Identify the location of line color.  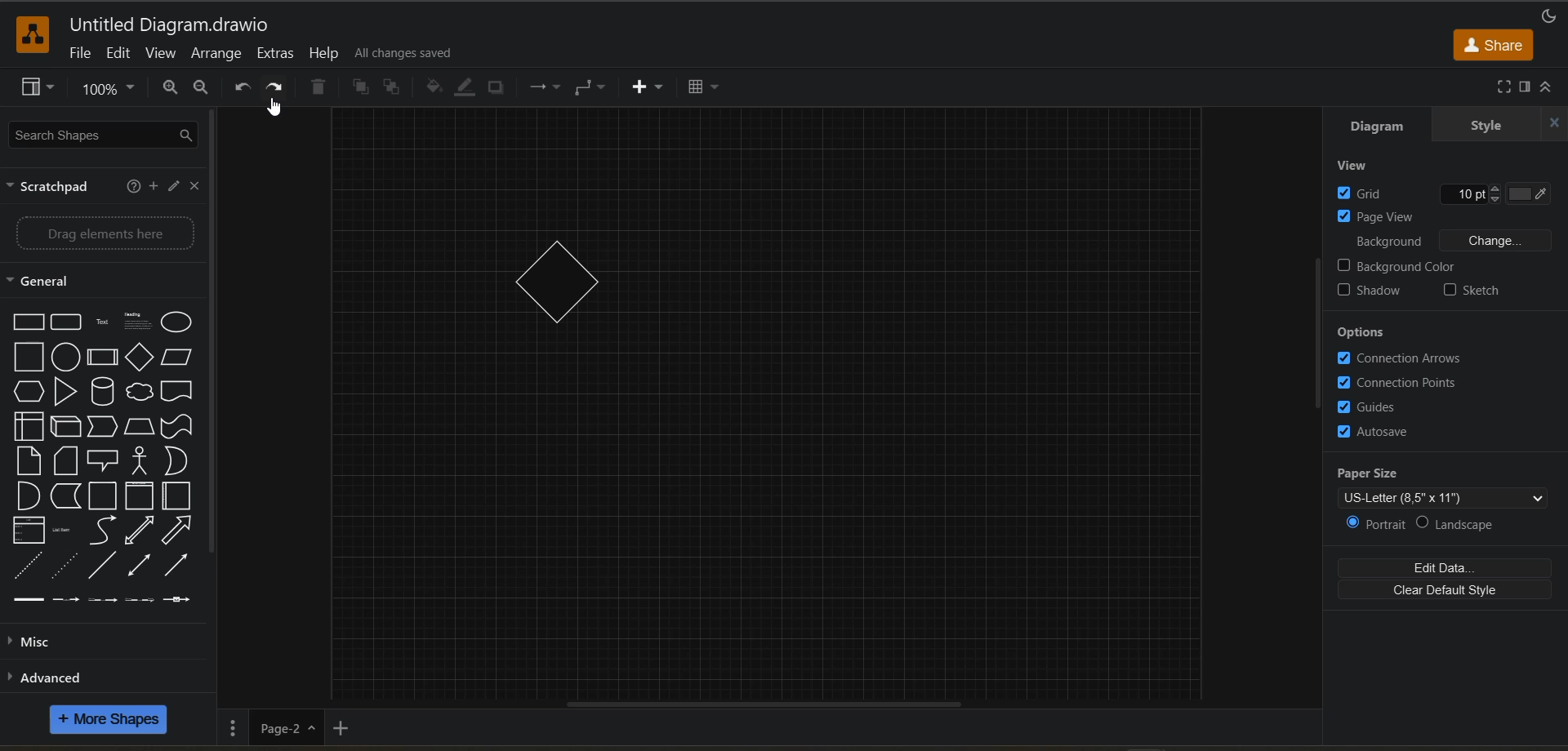
(461, 90).